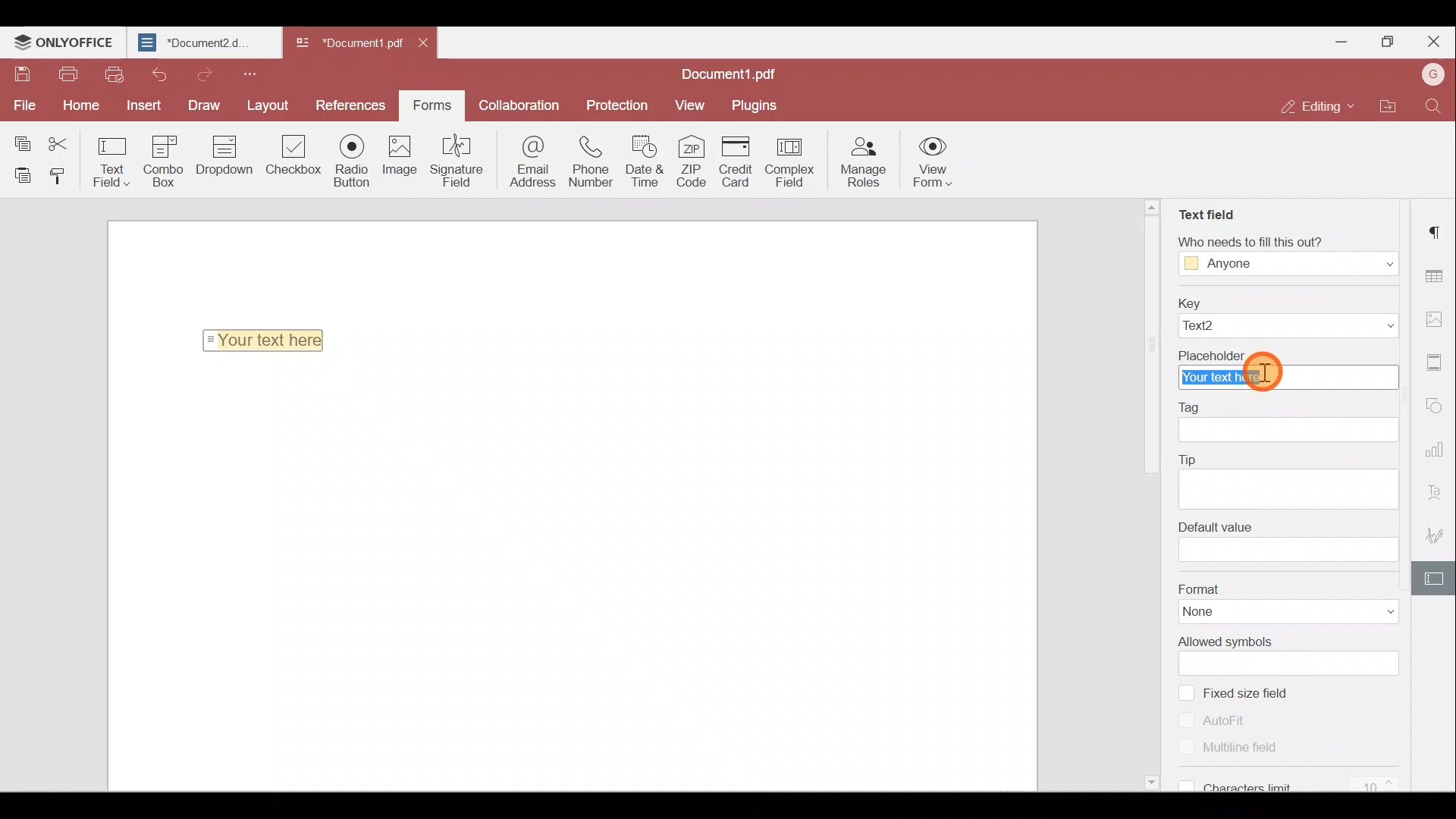  Describe the element at coordinates (1154, 498) in the screenshot. I see `Scroll bar` at that location.